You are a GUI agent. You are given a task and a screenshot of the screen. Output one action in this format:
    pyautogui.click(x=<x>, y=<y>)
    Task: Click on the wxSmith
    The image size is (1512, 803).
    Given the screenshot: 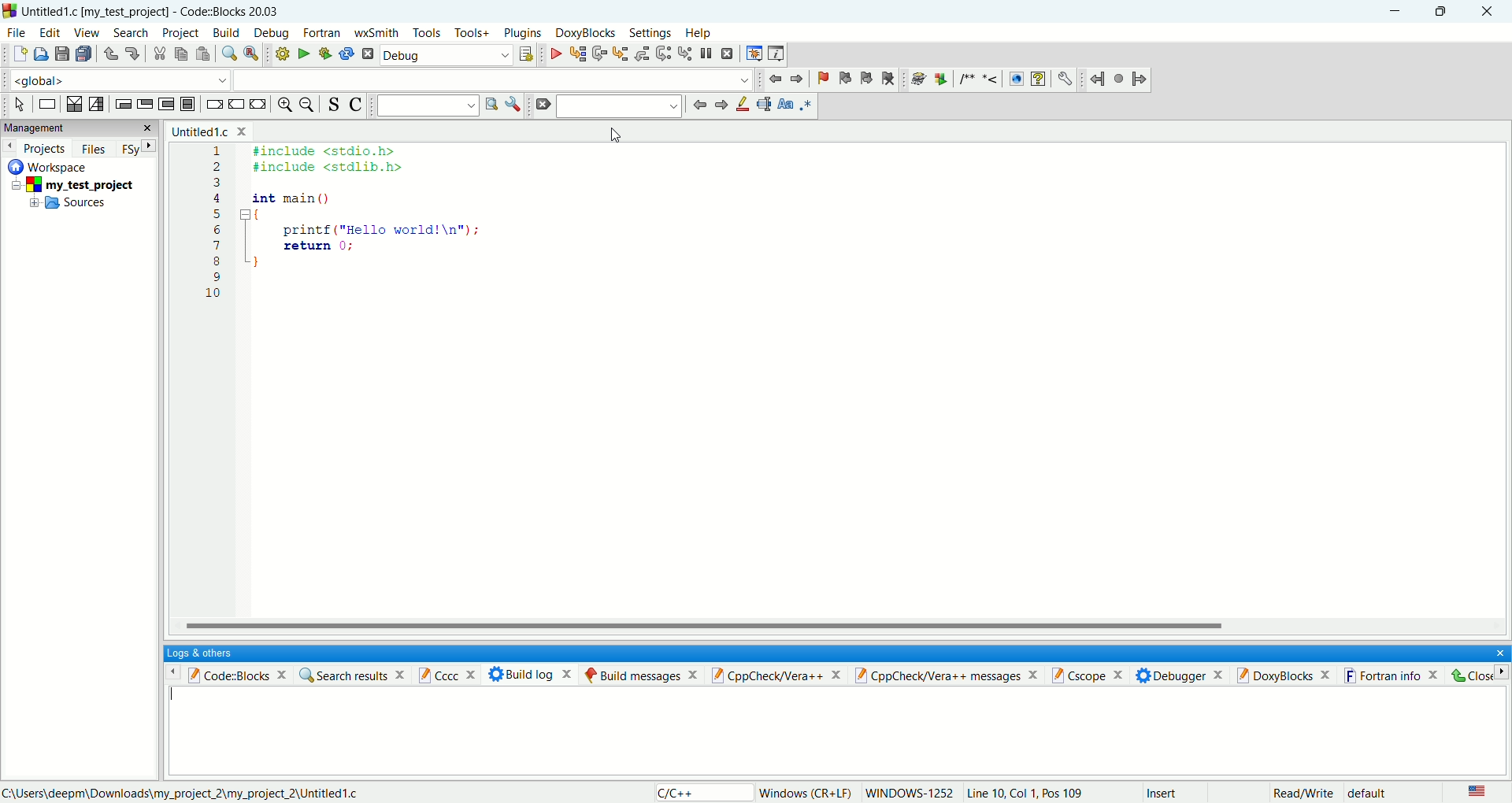 What is the action you would take?
    pyautogui.click(x=376, y=35)
    